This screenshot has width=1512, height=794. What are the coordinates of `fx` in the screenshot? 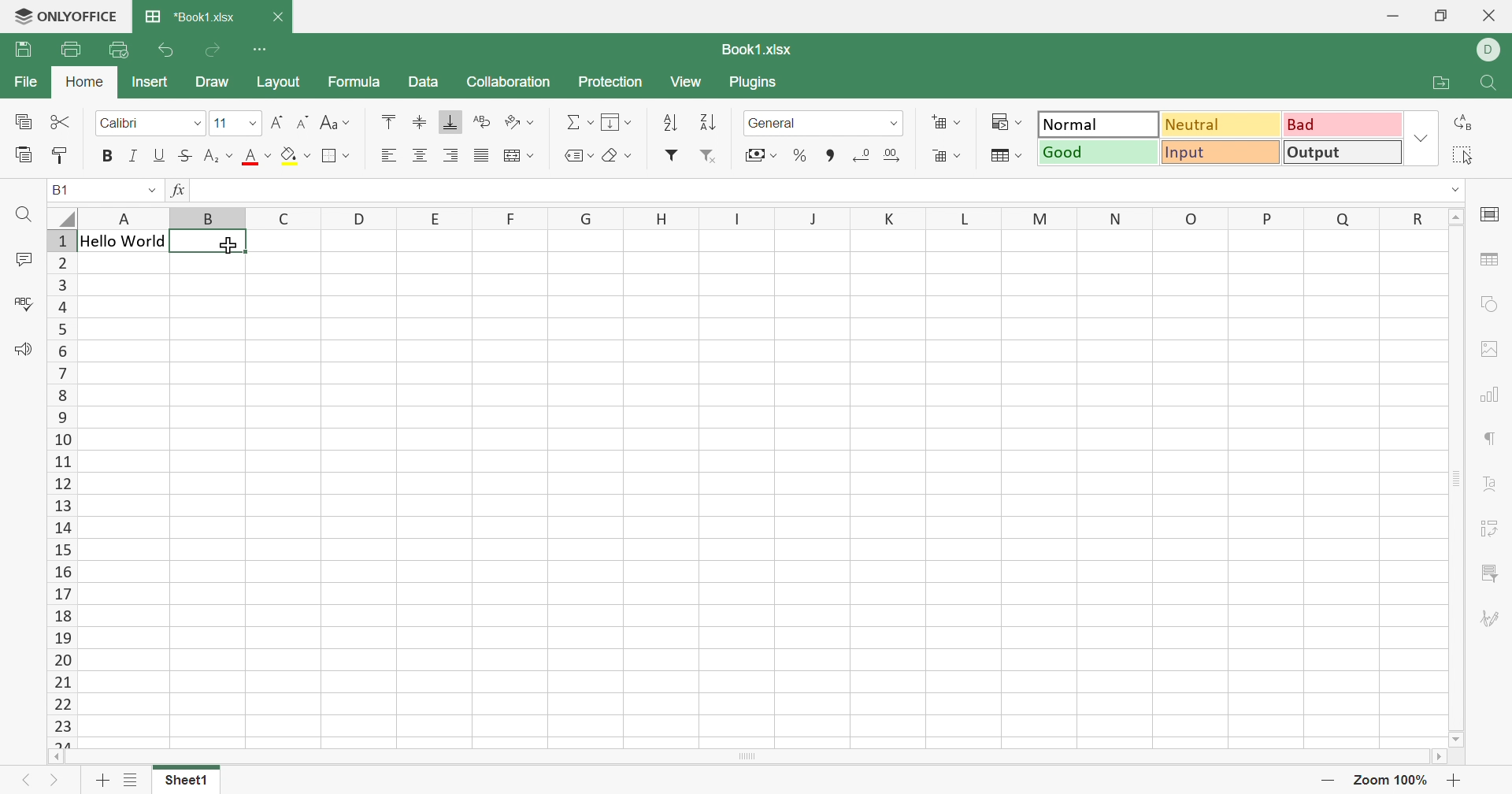 It's located at (177, 191).